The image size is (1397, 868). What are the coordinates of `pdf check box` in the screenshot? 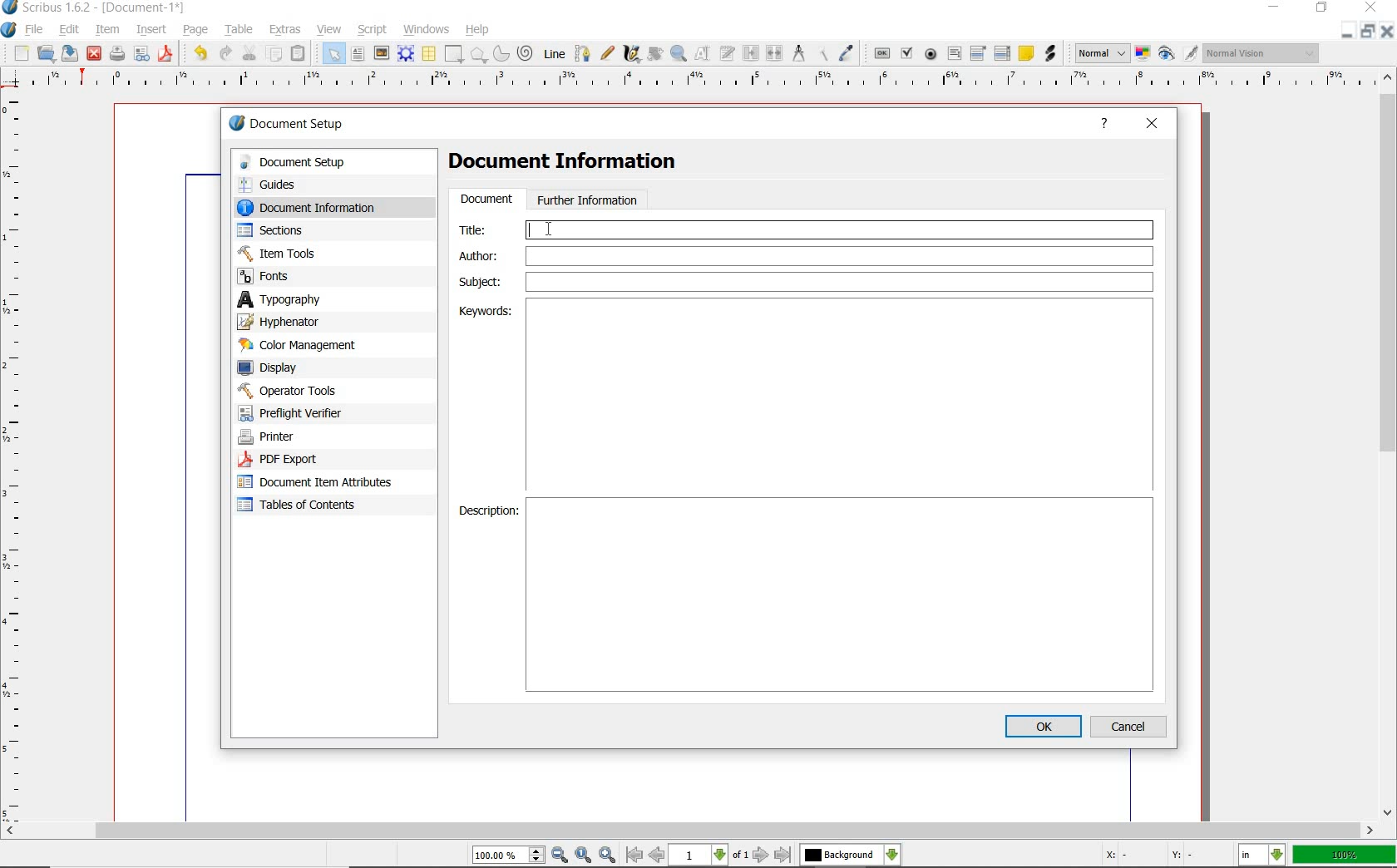 It's located at (908, 52).